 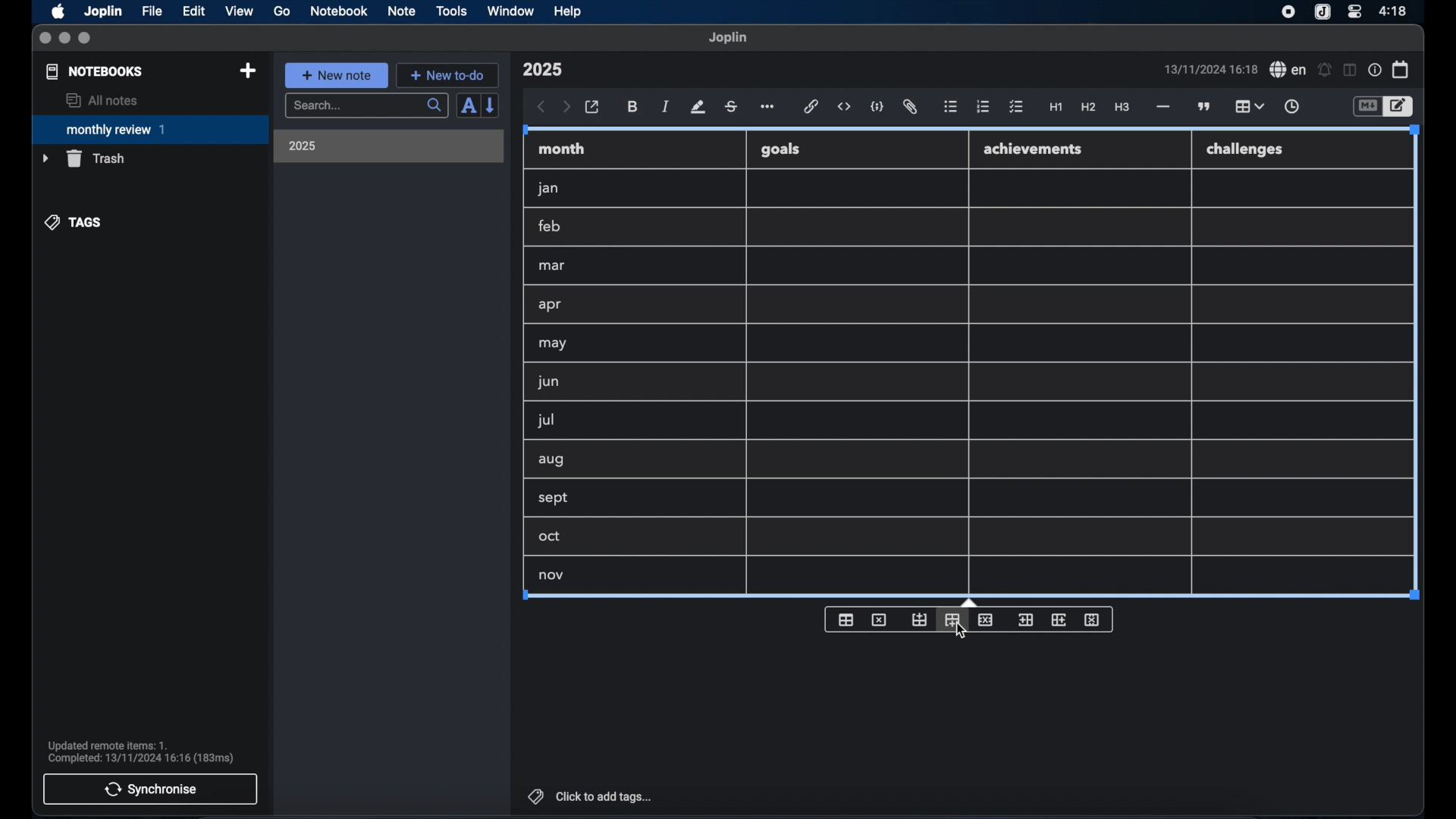 What do you see at coordinates (282, 11) in the screenshot?
I see `go` at bounding box center [282, 11].